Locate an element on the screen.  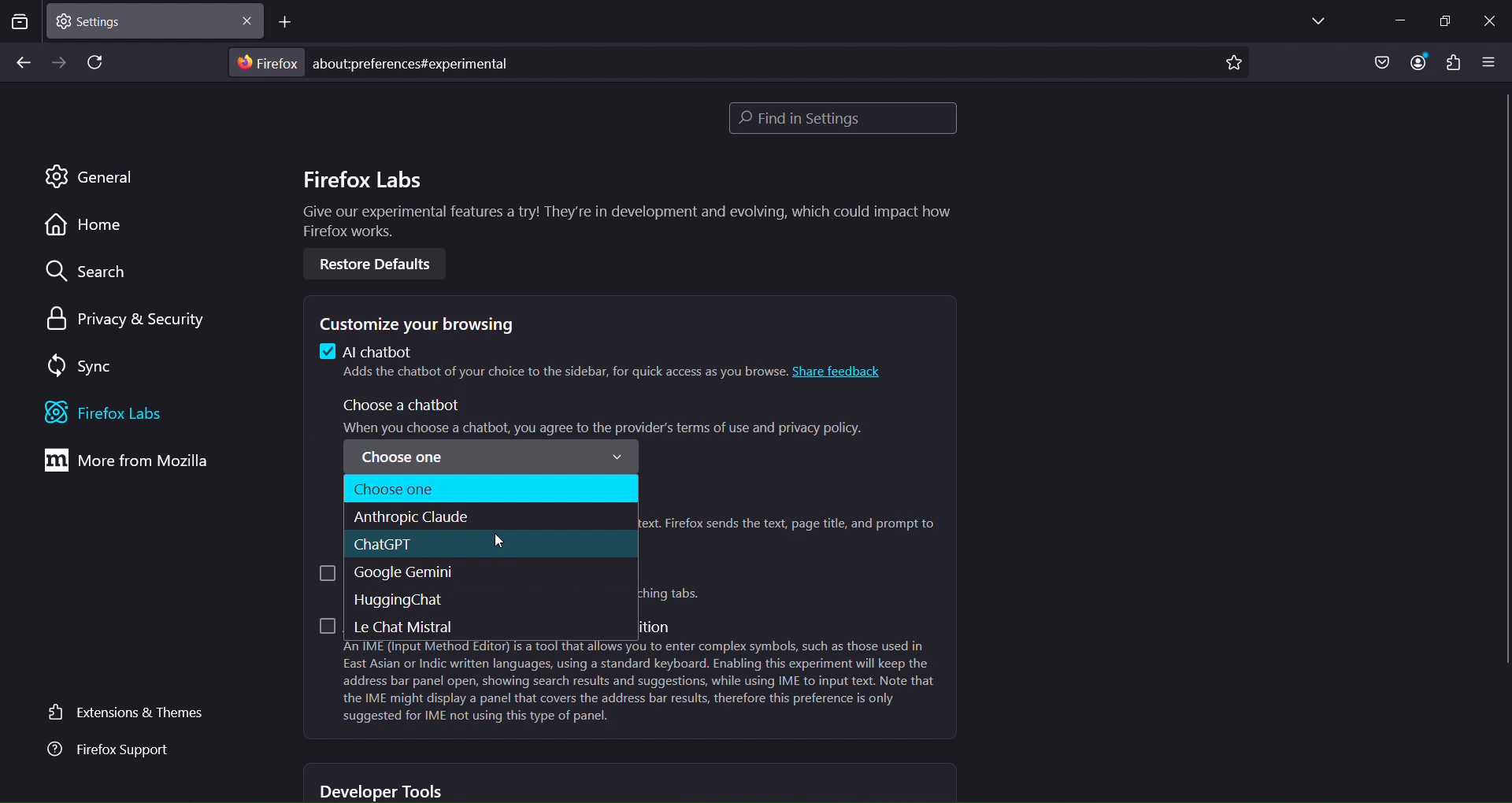
developer tools is located at coordinates (384, 790).